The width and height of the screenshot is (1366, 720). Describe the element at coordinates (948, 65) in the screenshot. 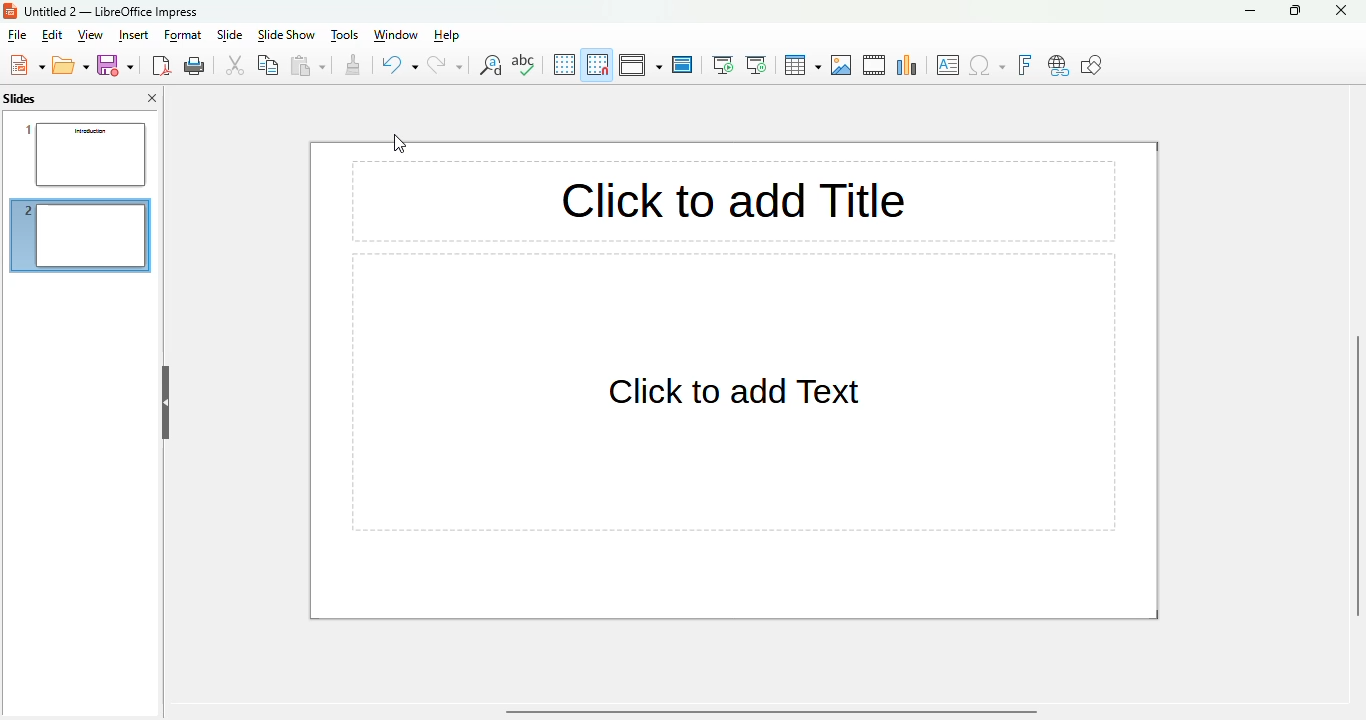

I see `insert textbox` at that location.